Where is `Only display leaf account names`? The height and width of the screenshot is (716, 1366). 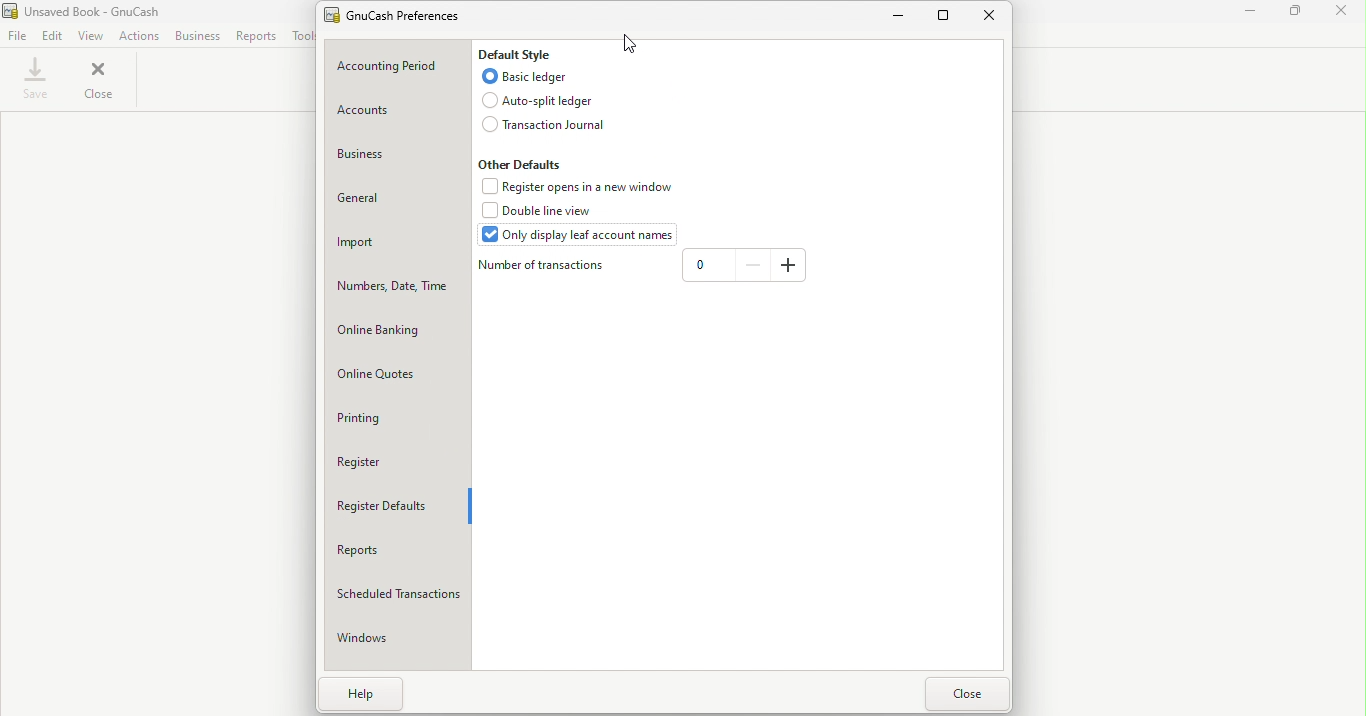
Only display leaf account names is located at coordinates (584, 238).